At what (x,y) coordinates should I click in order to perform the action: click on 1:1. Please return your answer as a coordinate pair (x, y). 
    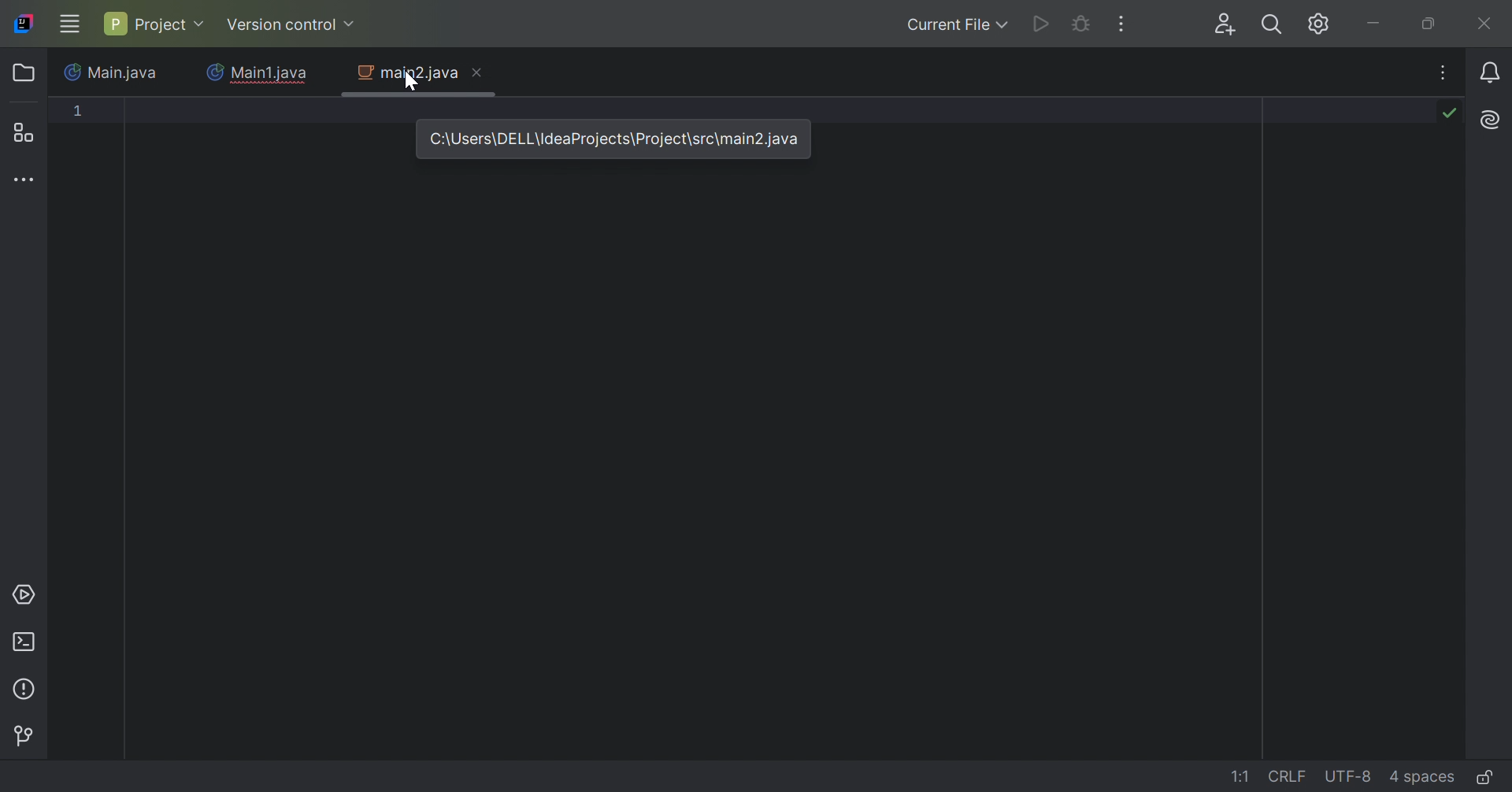
    Looking at the image, I should click on (1242, 778).